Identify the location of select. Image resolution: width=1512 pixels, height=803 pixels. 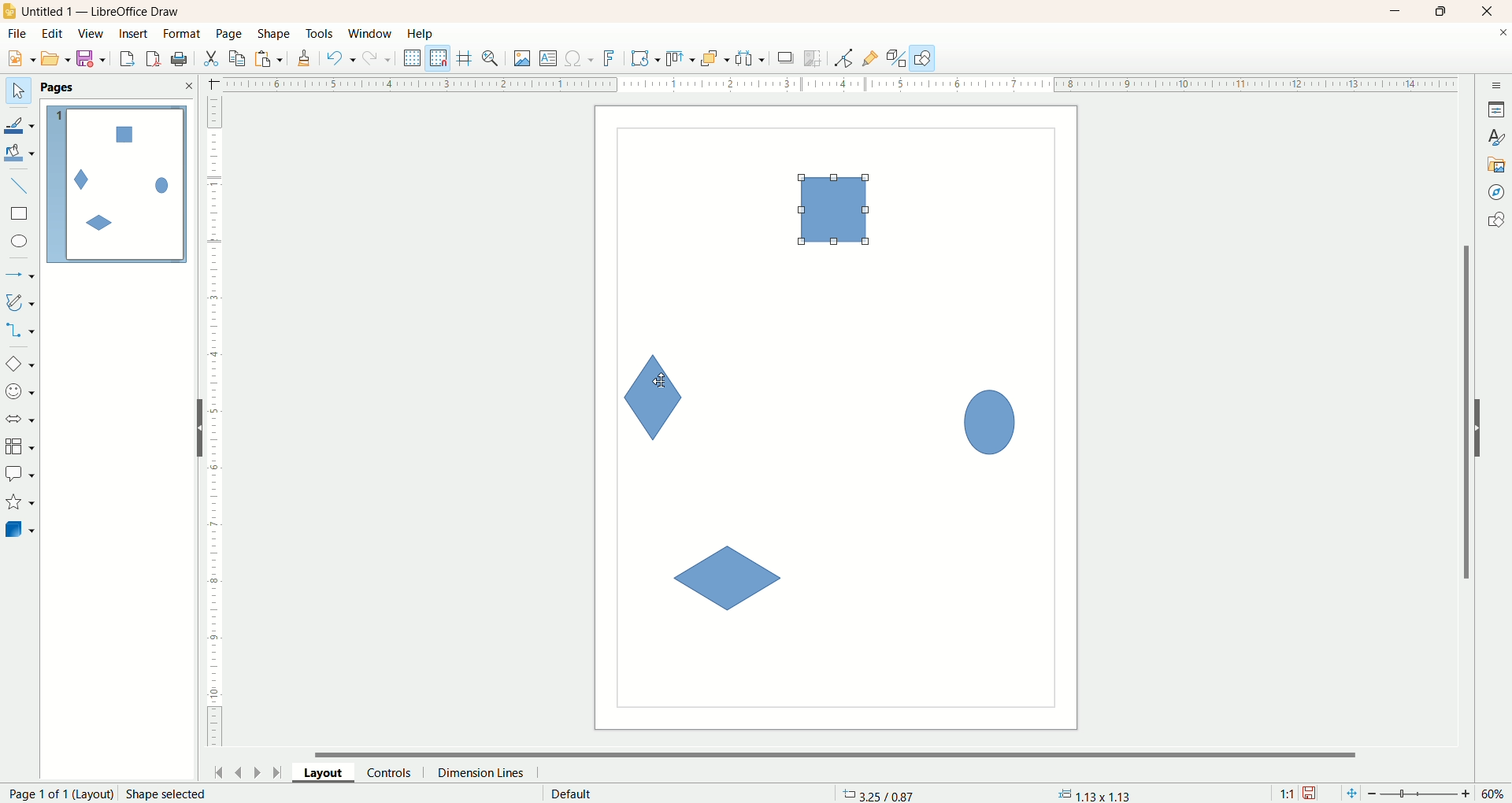
(18, 91).